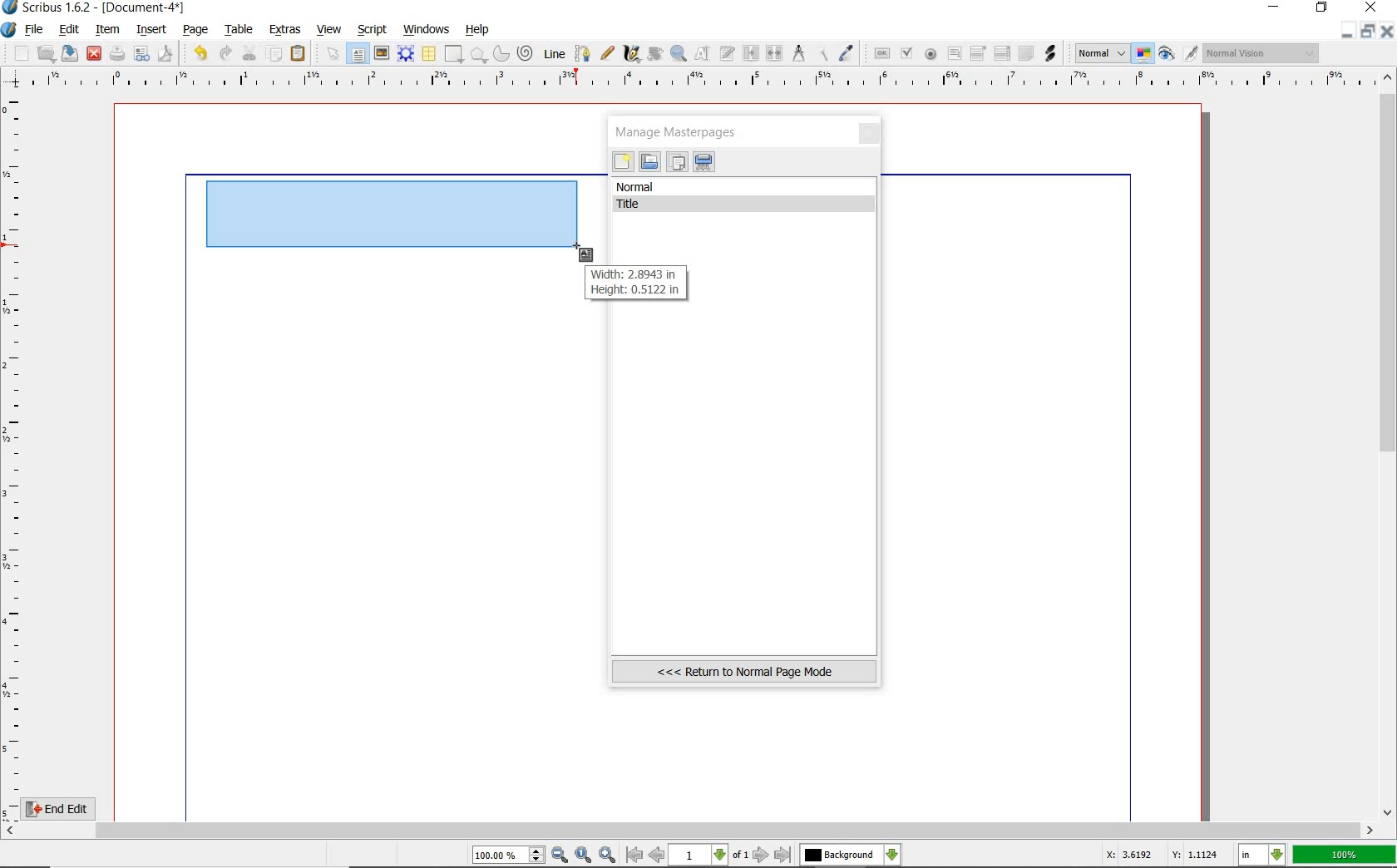 Image resolution: width=1397 pixels, height=868 pixels. What do you see at coordinates (681, 131) in the screenshot?
I see `manage masterpages` at bounding box center [681, 131].